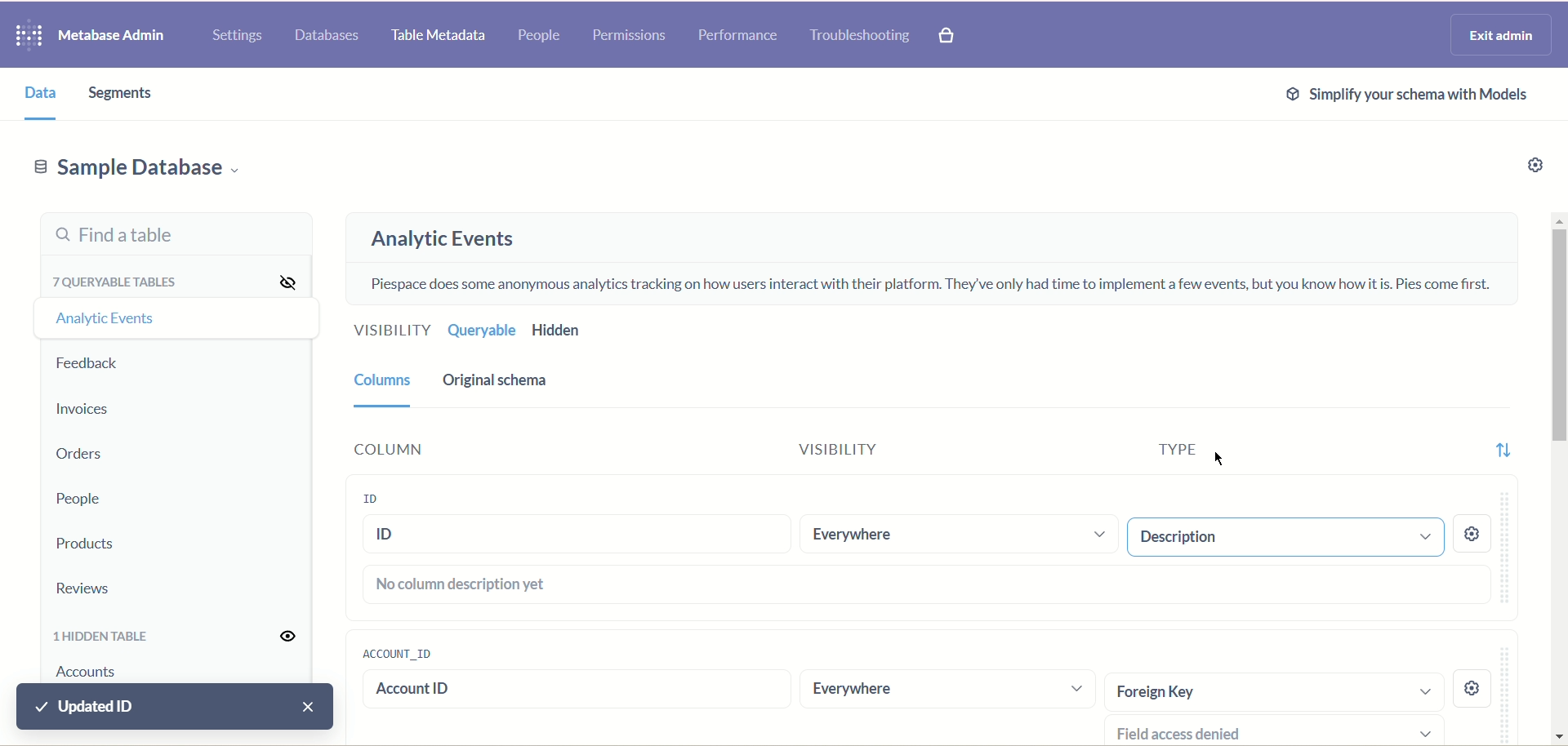 The width and height of the screenshot is (1568, 746). What do you see at coordinates (1410, 96) in the screenshot?
I see `simplify your schema with models` at bounding box center [1410, 96].